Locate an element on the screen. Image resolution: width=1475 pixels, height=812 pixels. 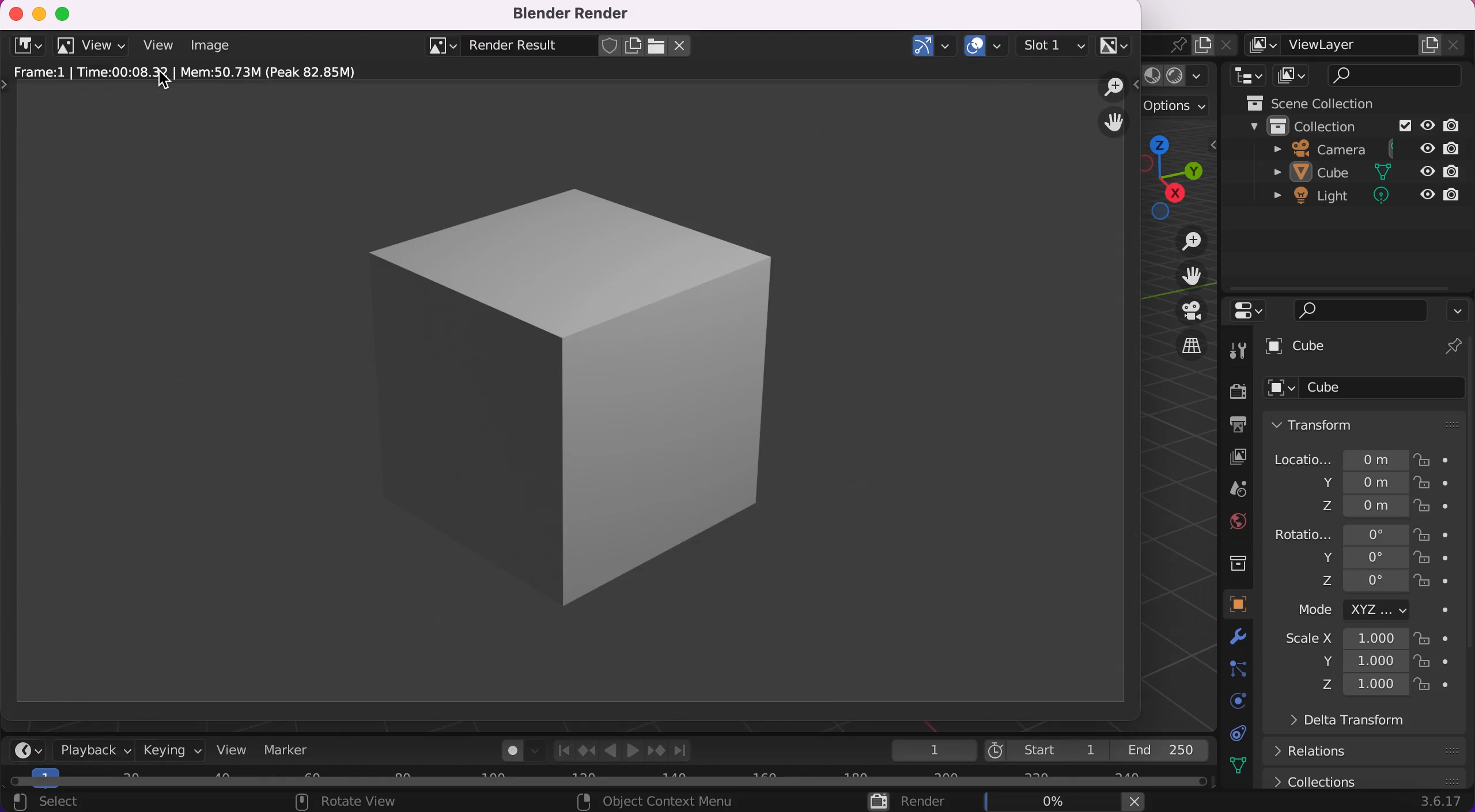
Exclude from view layer is located at coordinates (1404, 127).